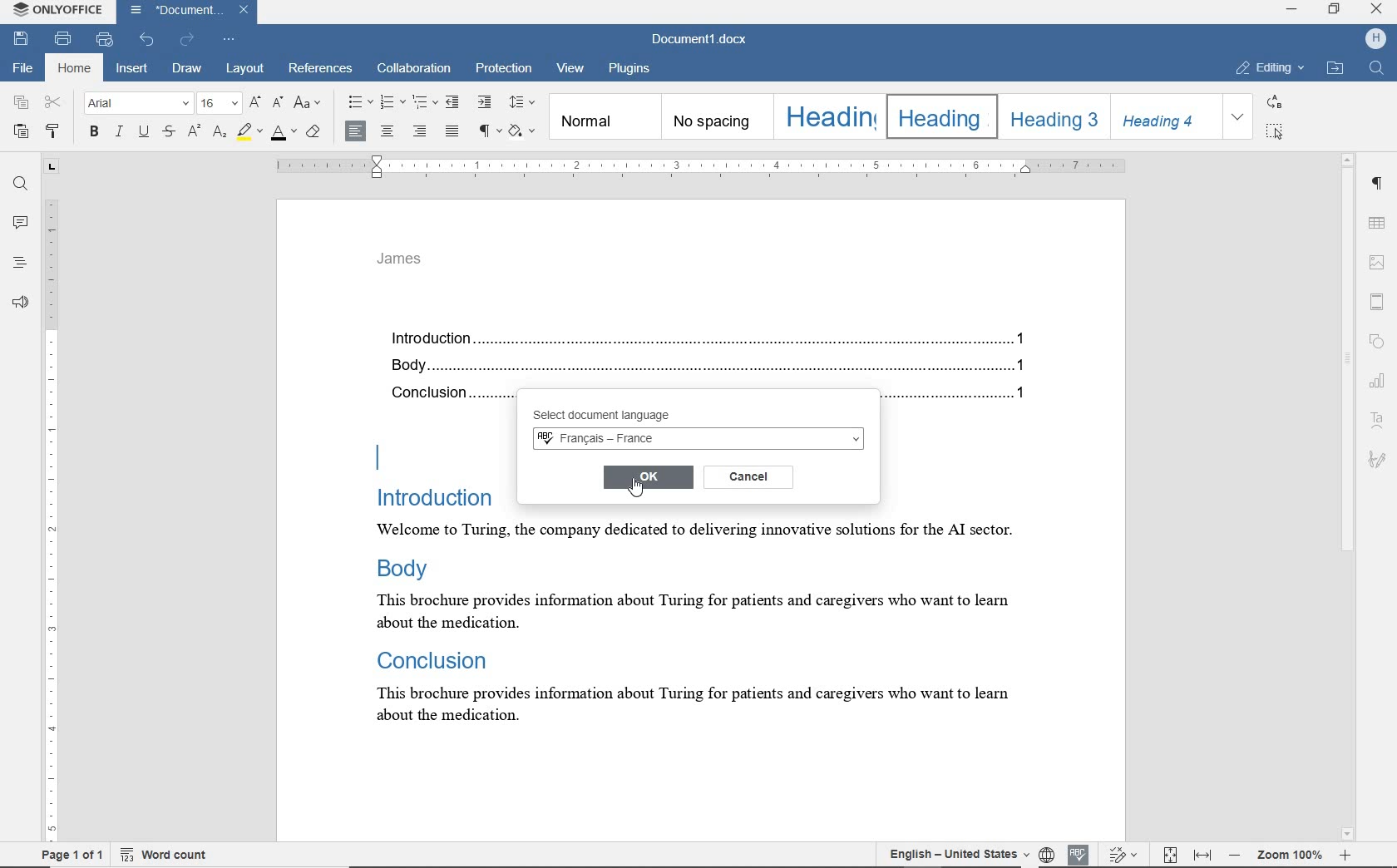  Describe the element at coordinates (1379, 70) in the screenshot. I see `FIND` at that location.